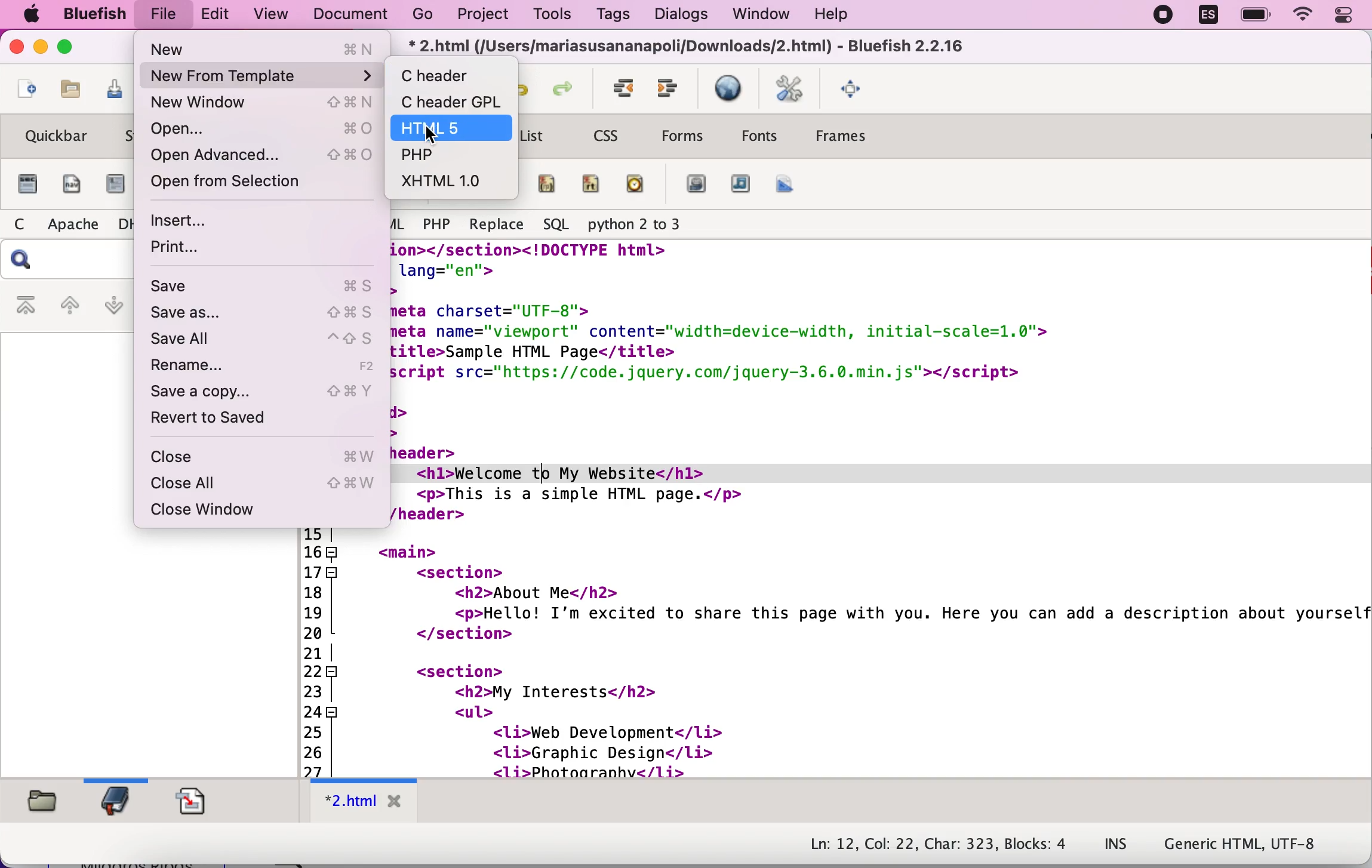 Image resolution: width=1372 pixels, height=868 pixels. What do you see at coordinates (74, 223) in the screenshot?
I see `Apache` at bounding box center [74, 223].